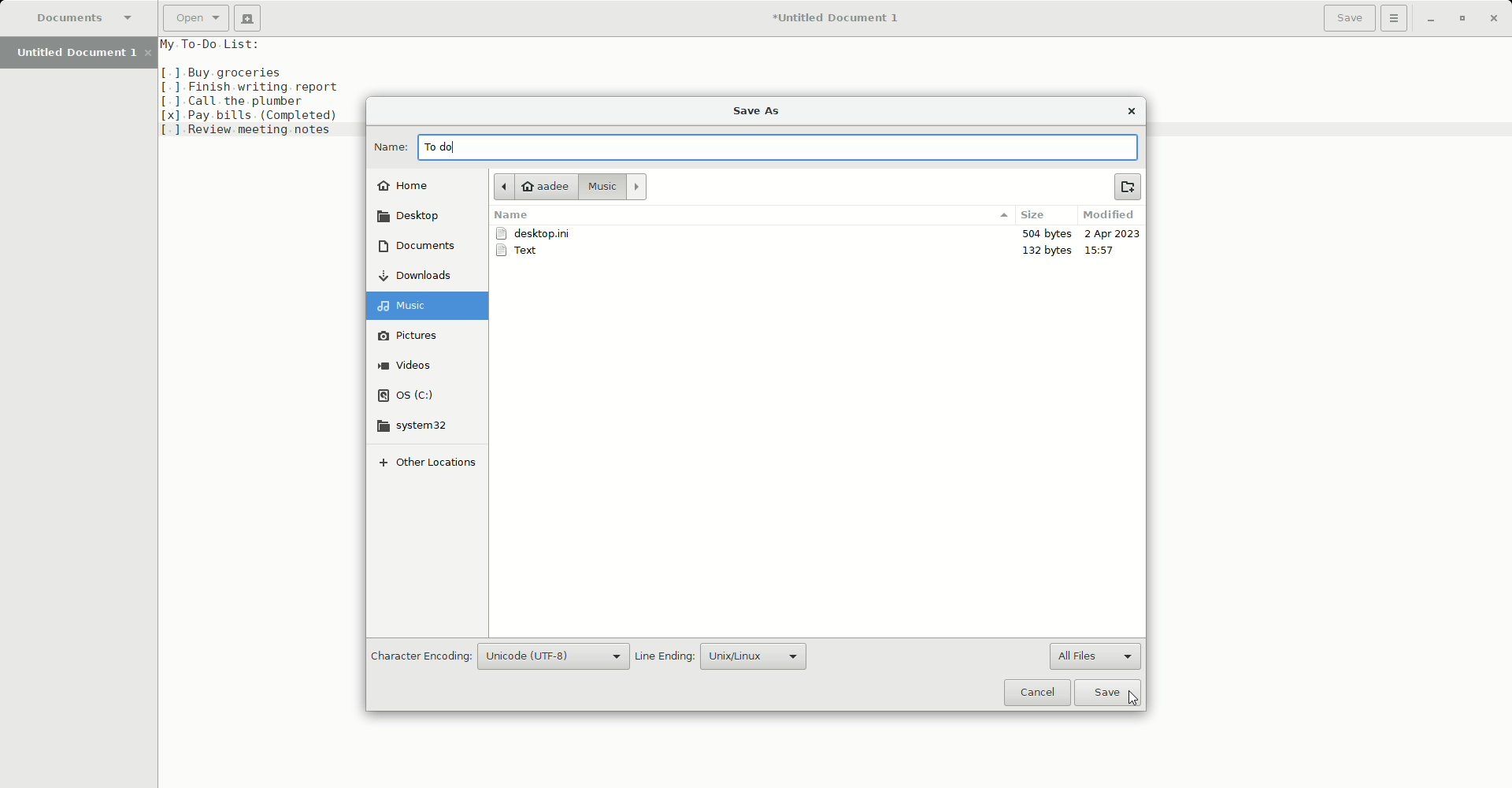 This screenshot has height=788, width=1512. What do you see at coordinates (1112, 235) in the screenshot?
I see `2 Apr` at bounding box center [1112, 235].